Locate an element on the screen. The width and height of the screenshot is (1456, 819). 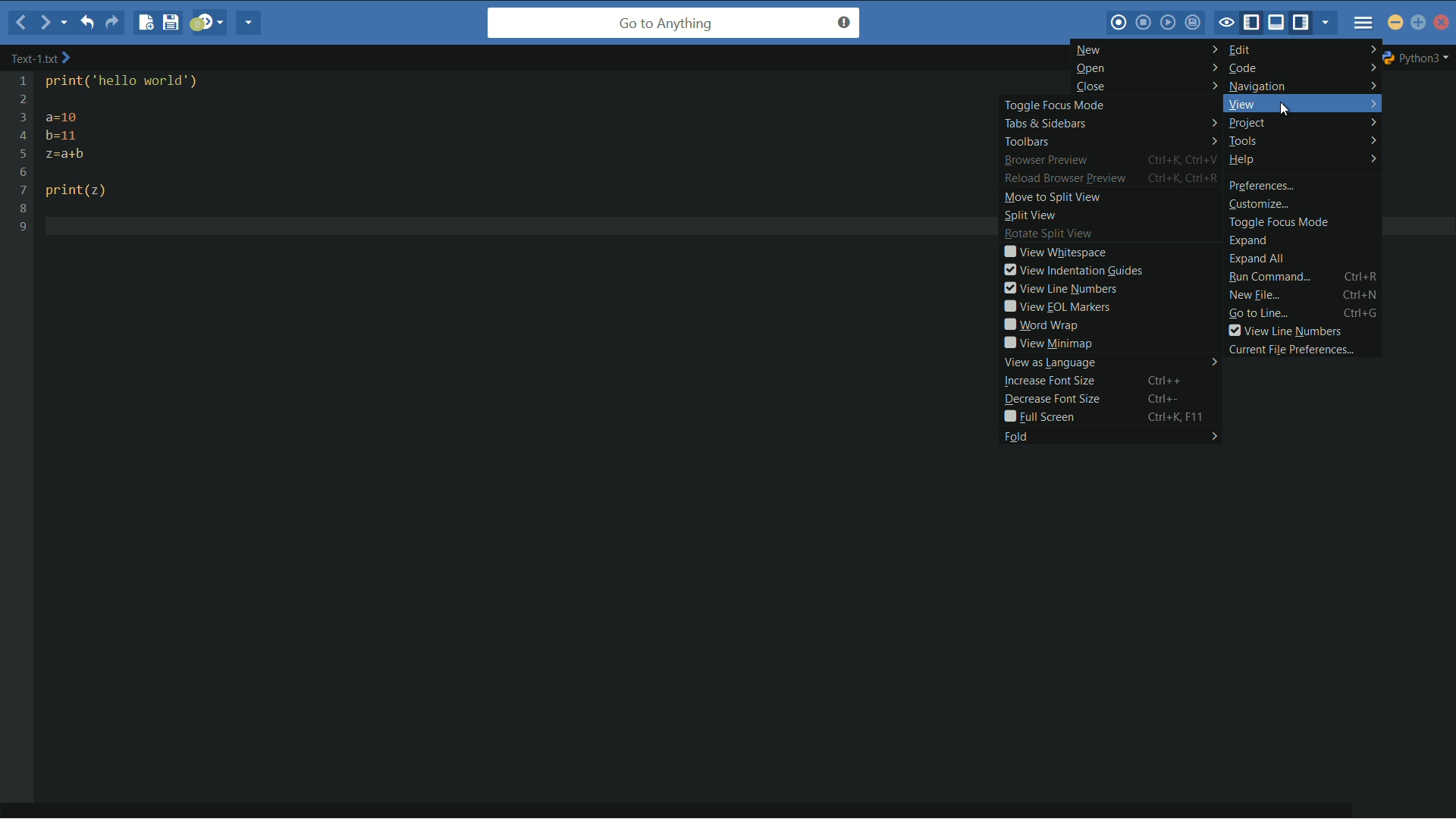
tools is located at coordinates (1303, 140).